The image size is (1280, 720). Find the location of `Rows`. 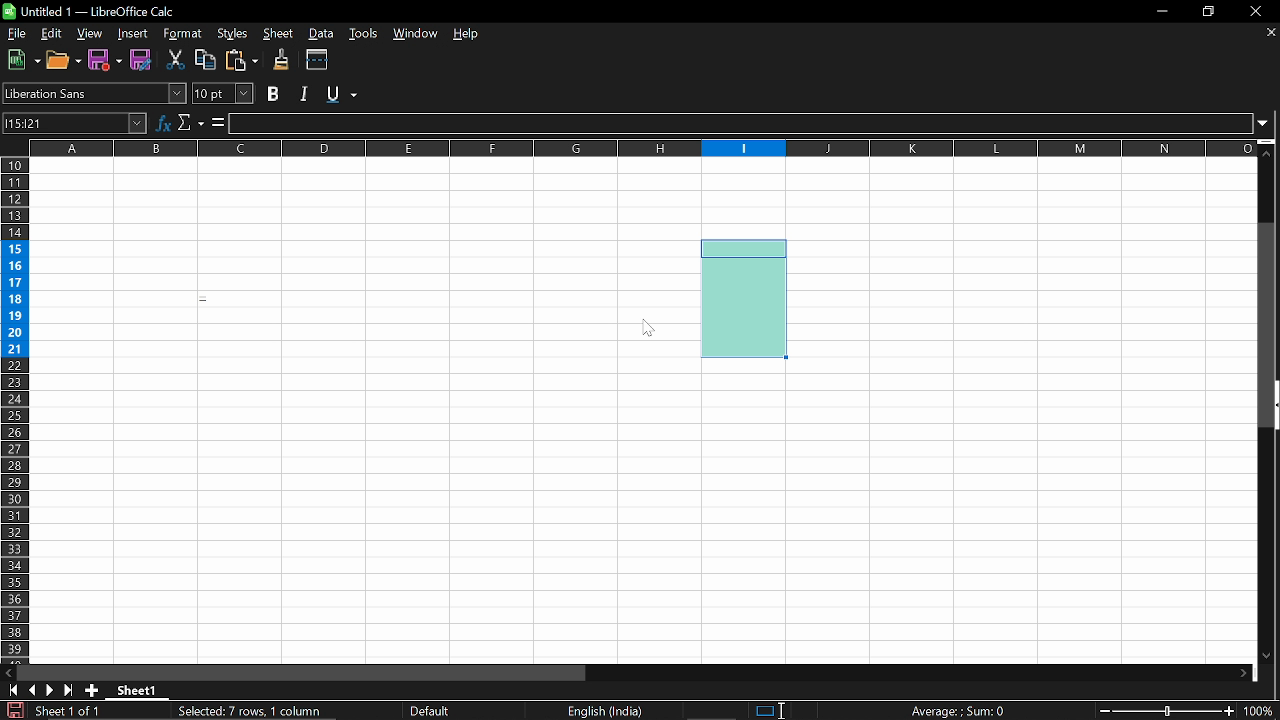

Rows is located at coordinates (14, 409).